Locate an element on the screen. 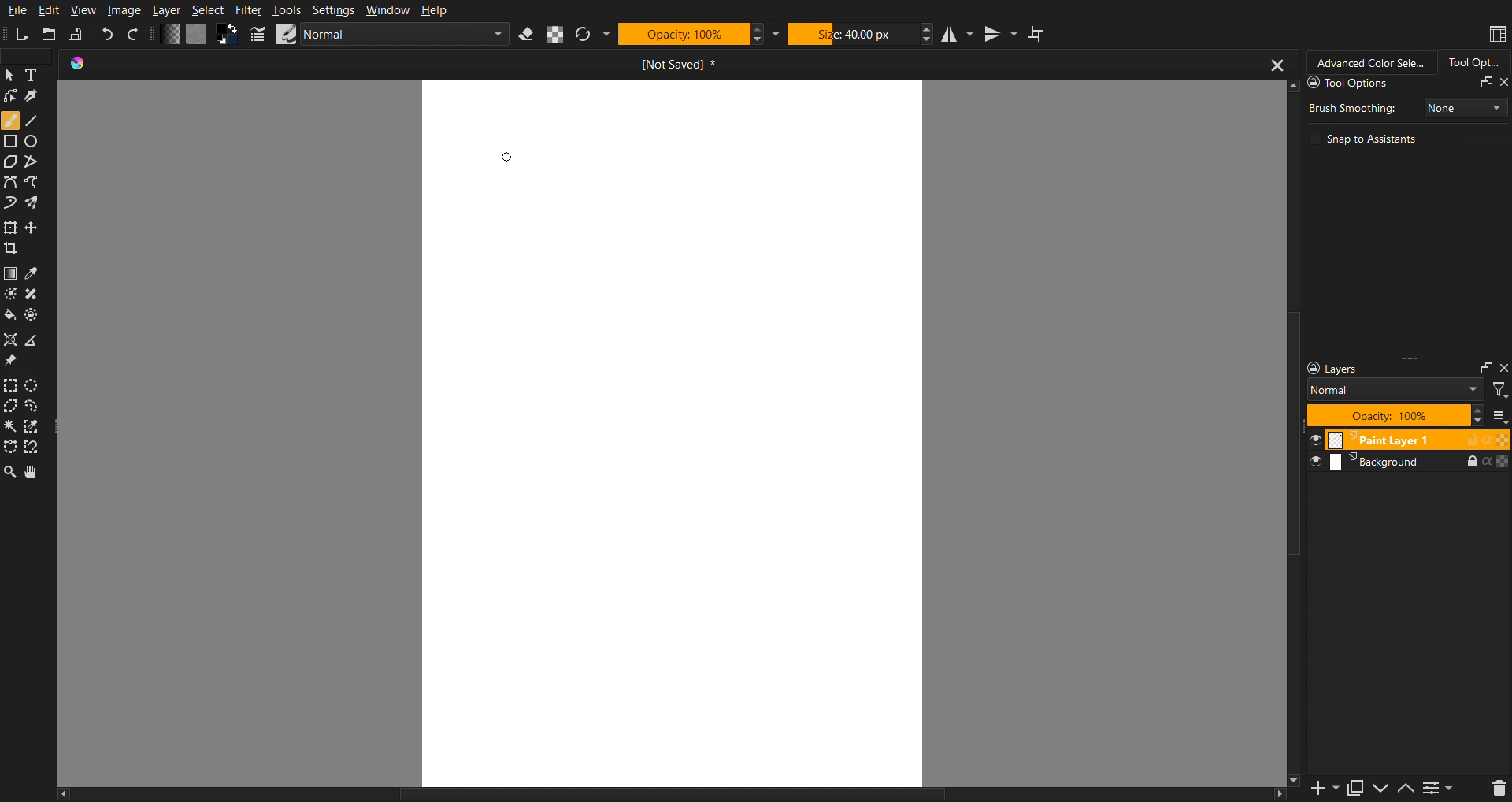 This screenshot has width=1512, height=802. Lineart is located at coordinates (37, 98).